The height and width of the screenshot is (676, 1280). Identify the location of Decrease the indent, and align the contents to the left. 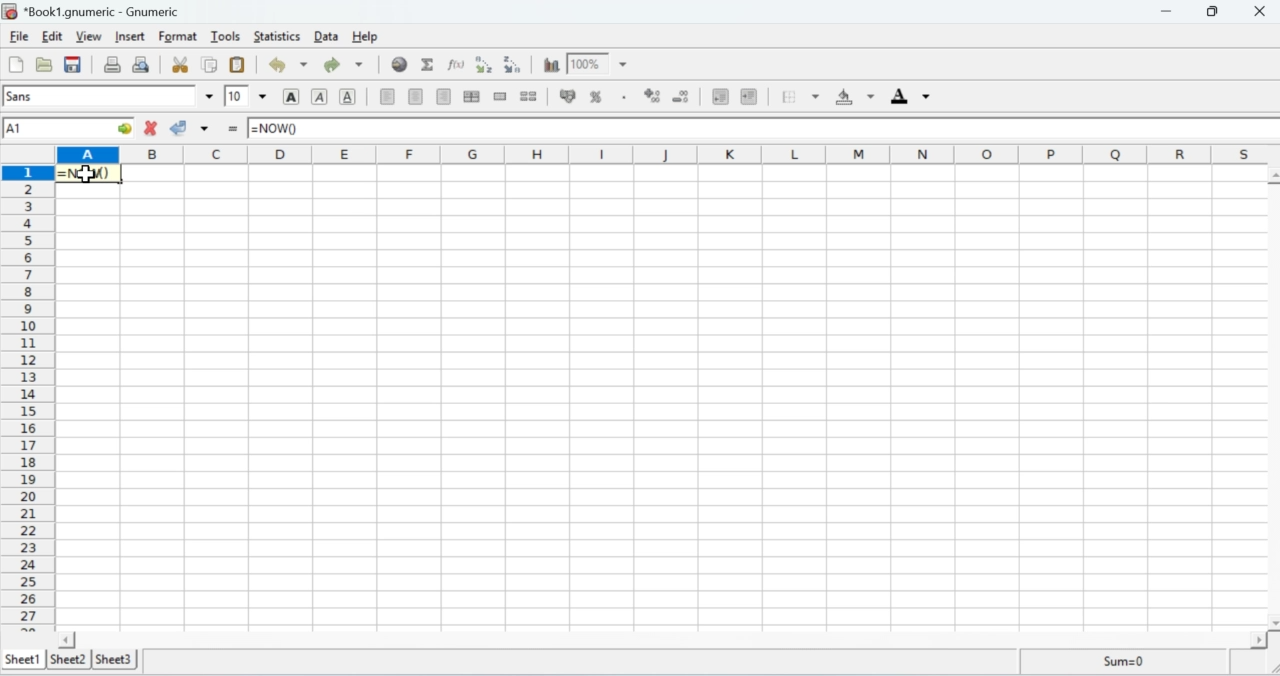
(720, 96).